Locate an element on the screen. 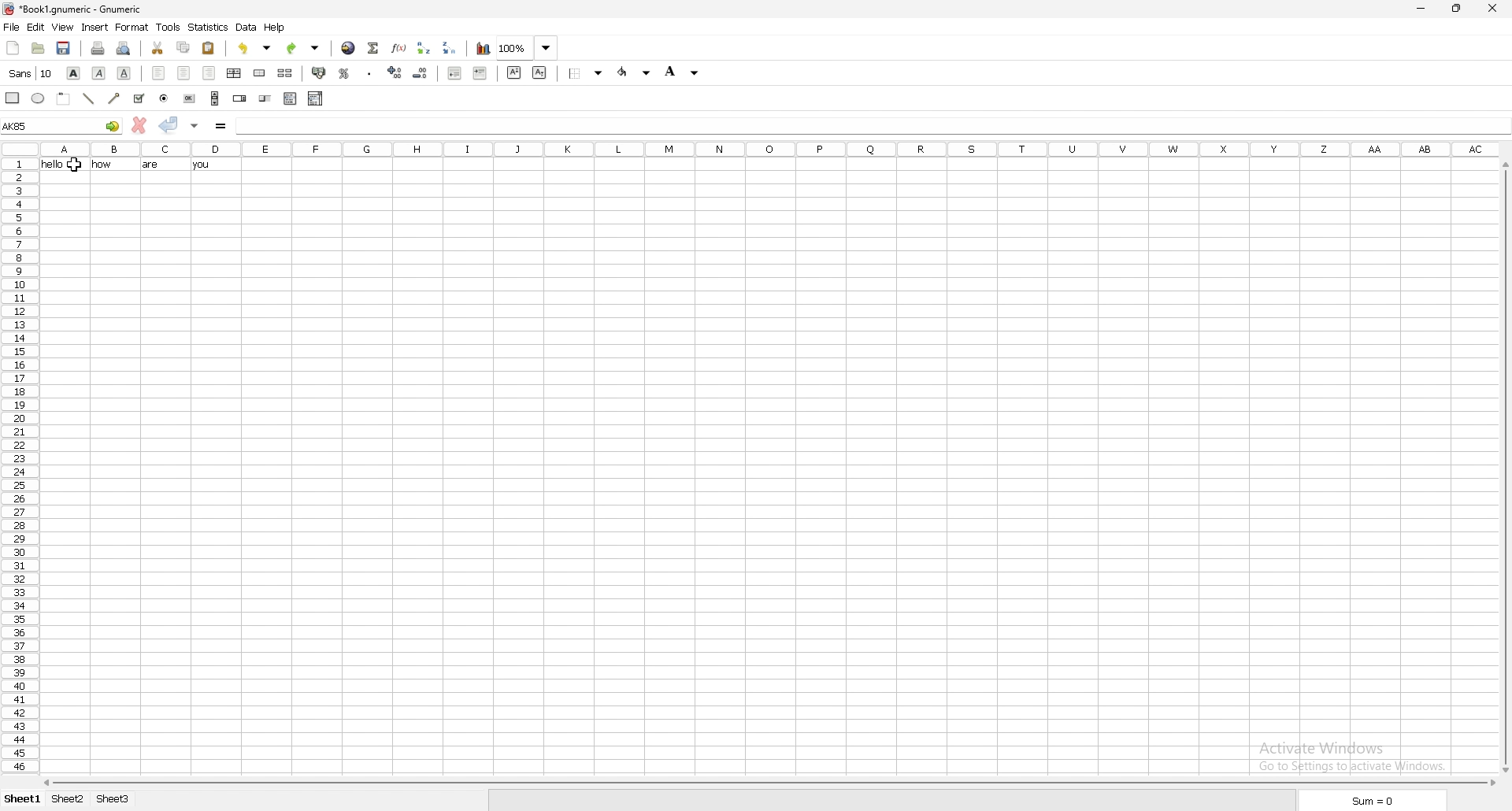 This screenshot has width=1512, height=811. italic is located at coordinates (98, 72).